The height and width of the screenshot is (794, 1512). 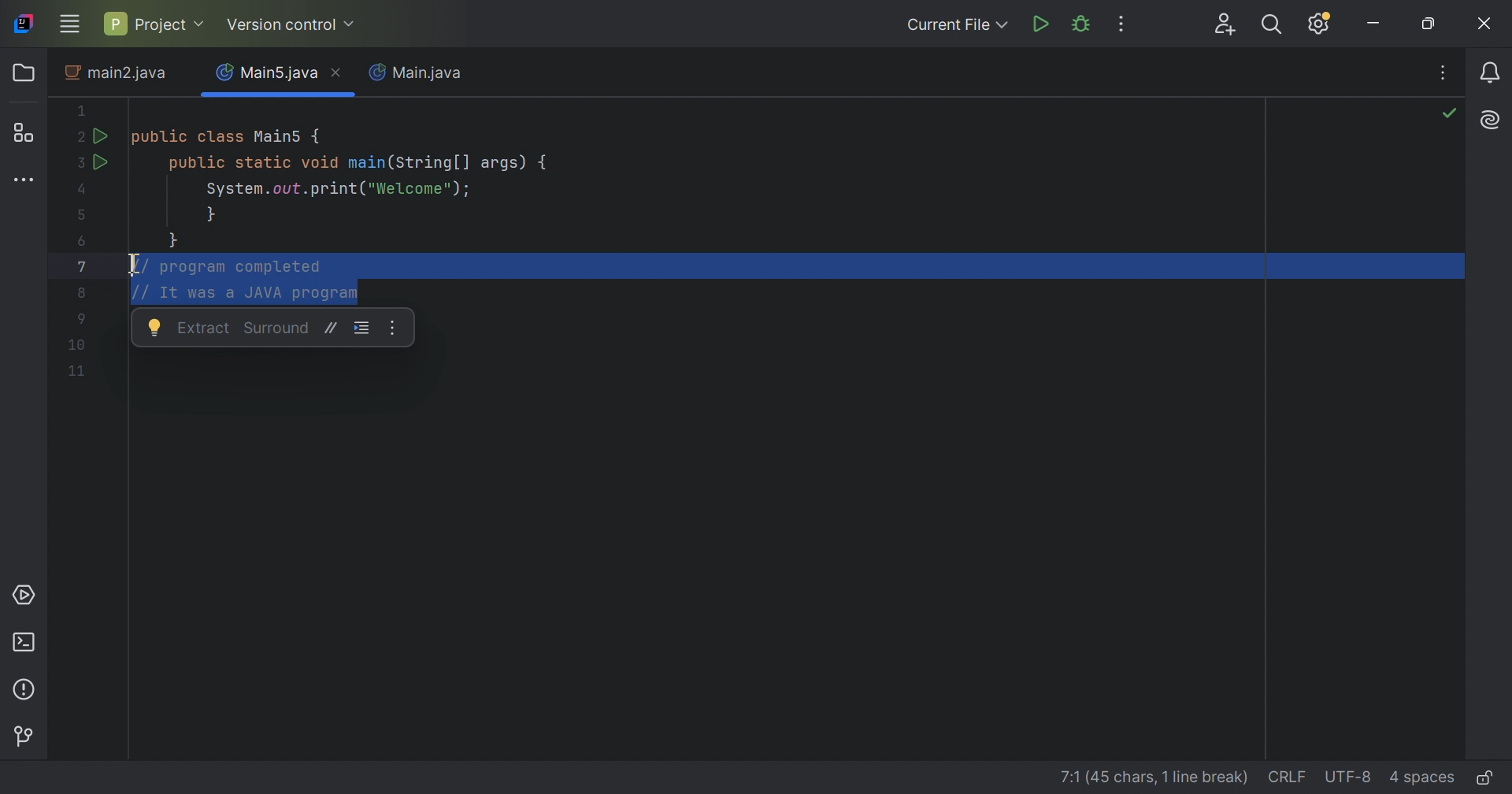 I want to click on More tool windows, so click(x=23, y=181).